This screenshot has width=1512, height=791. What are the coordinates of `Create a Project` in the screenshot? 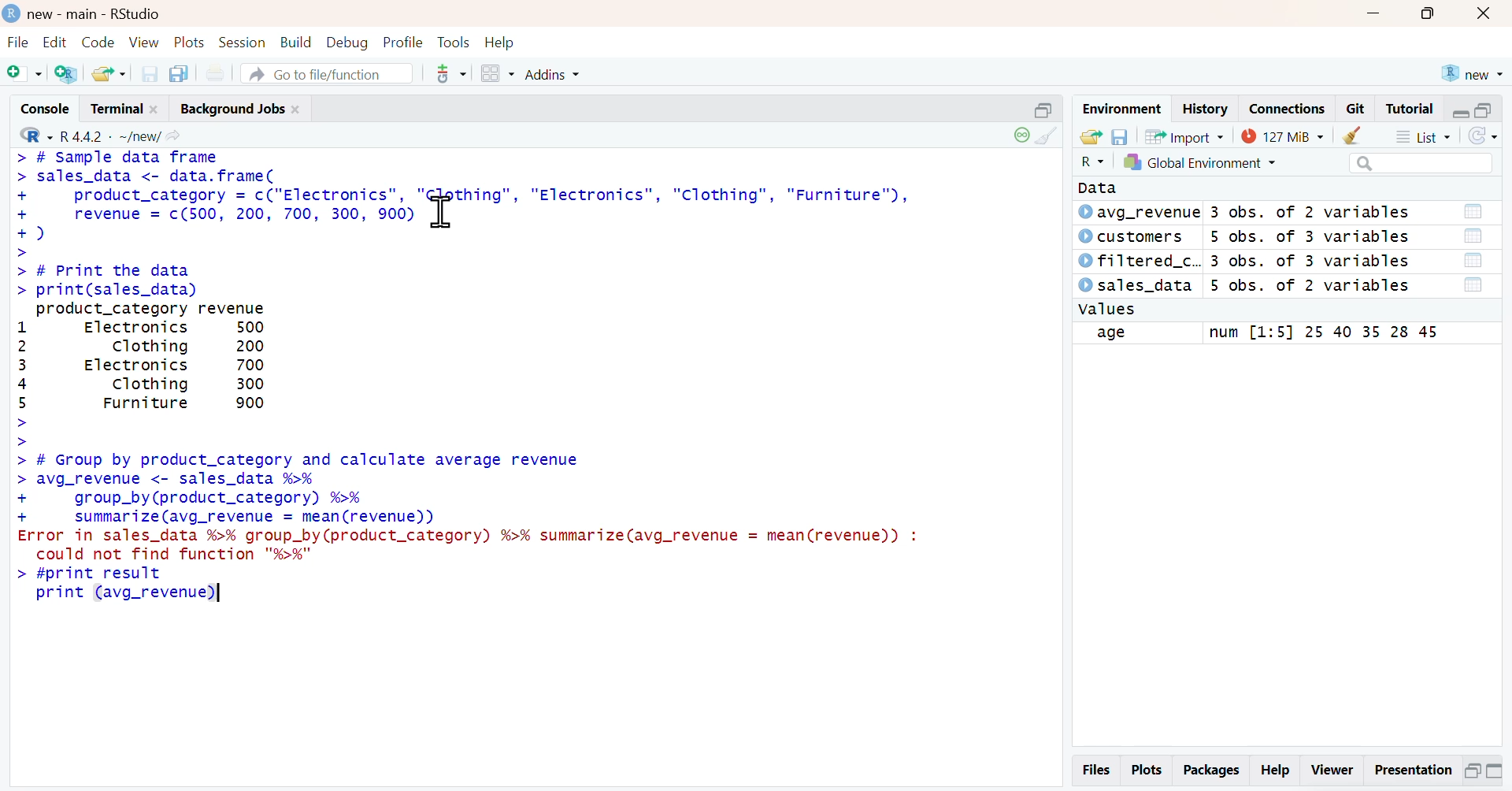 It's located at (65, 73).